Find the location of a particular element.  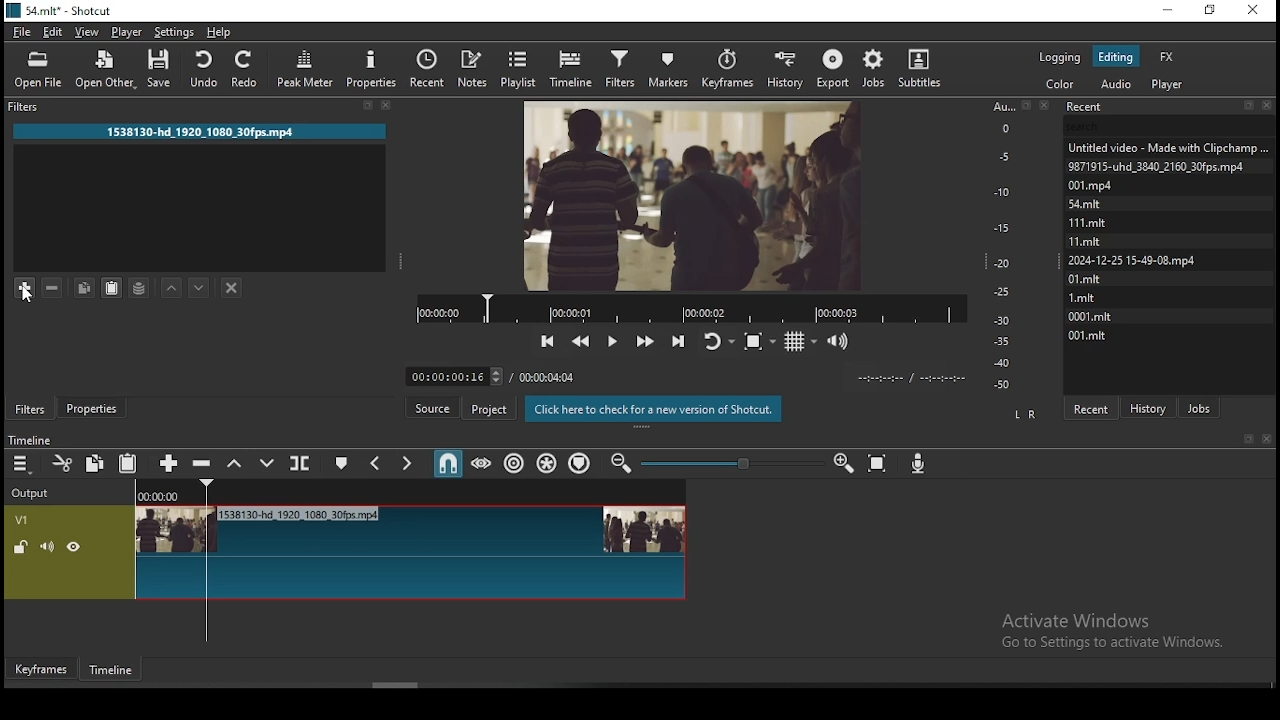

save a filter set is located at coordinates (142, 289).